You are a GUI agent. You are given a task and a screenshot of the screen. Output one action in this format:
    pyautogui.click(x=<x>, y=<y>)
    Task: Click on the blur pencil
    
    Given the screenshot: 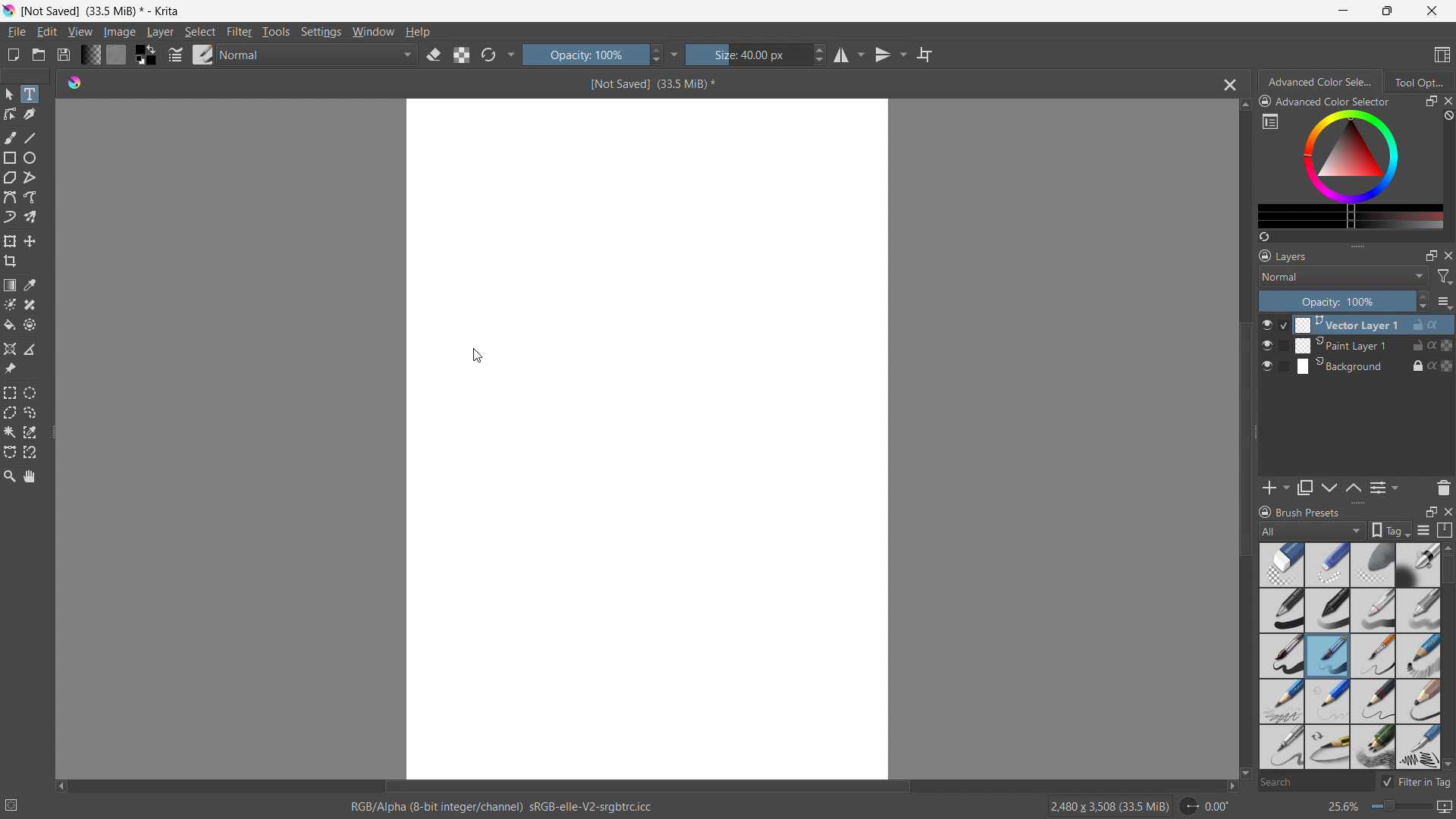 What is the action you would take?
    pyautogui.click(x=1418, y=609)
    